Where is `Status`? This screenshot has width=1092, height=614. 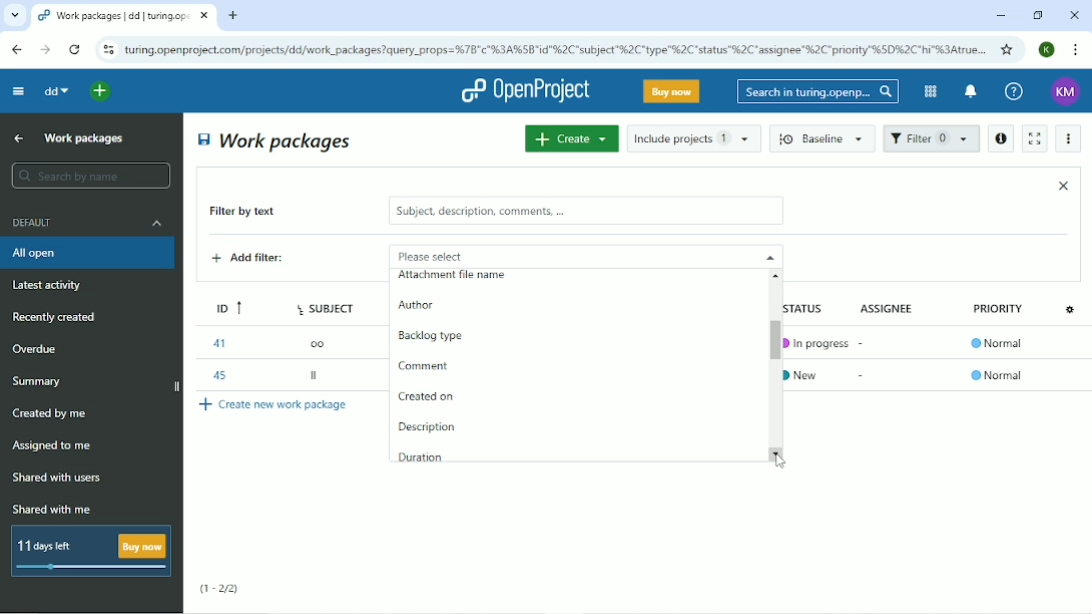
Status is located at coordinates (814, 307).